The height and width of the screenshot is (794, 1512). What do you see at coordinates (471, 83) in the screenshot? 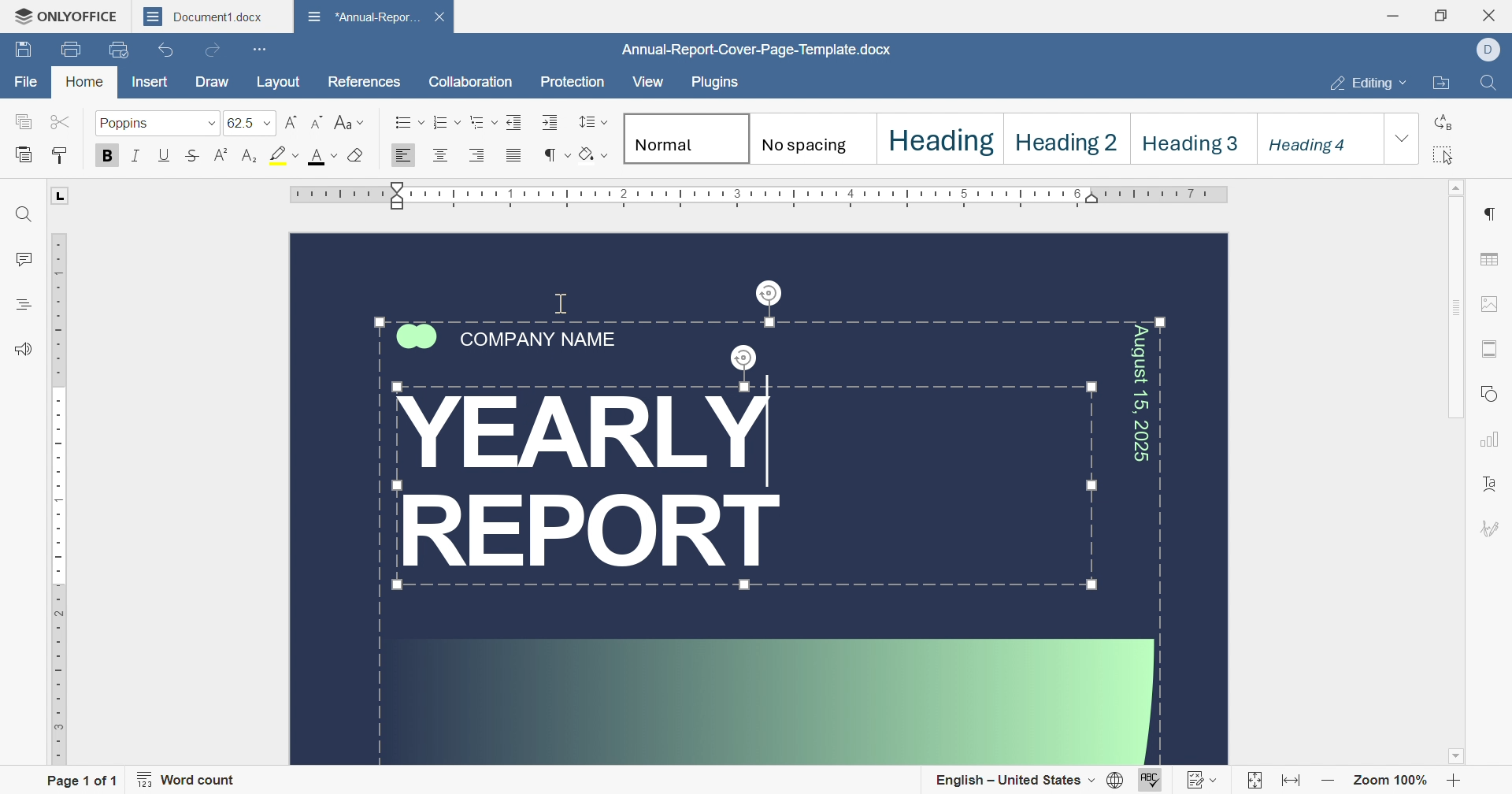
I see `collaboration` at bounding box center [471, 83].